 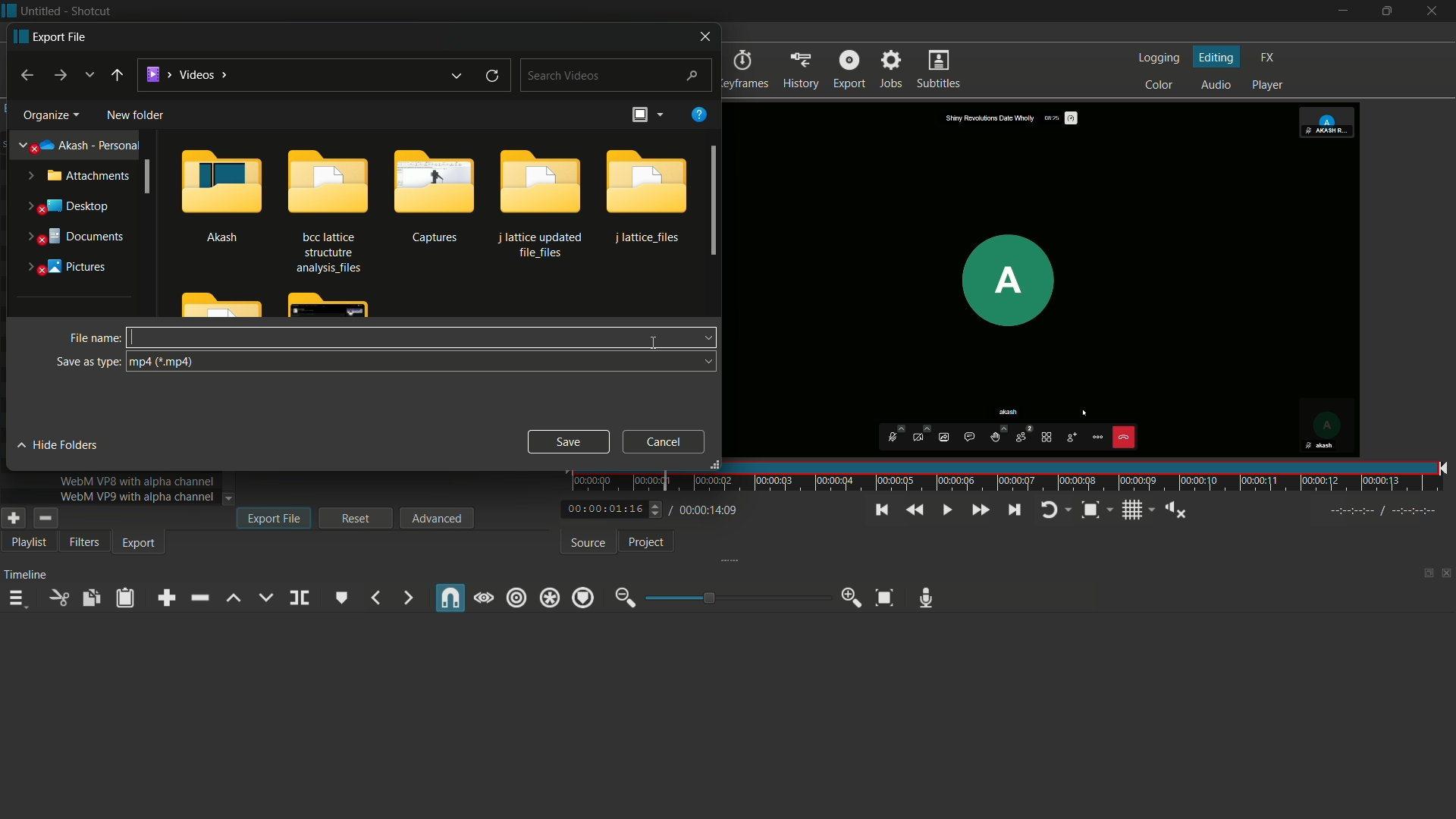 I want to click on play quickly backward, so click(x=912, y=510).